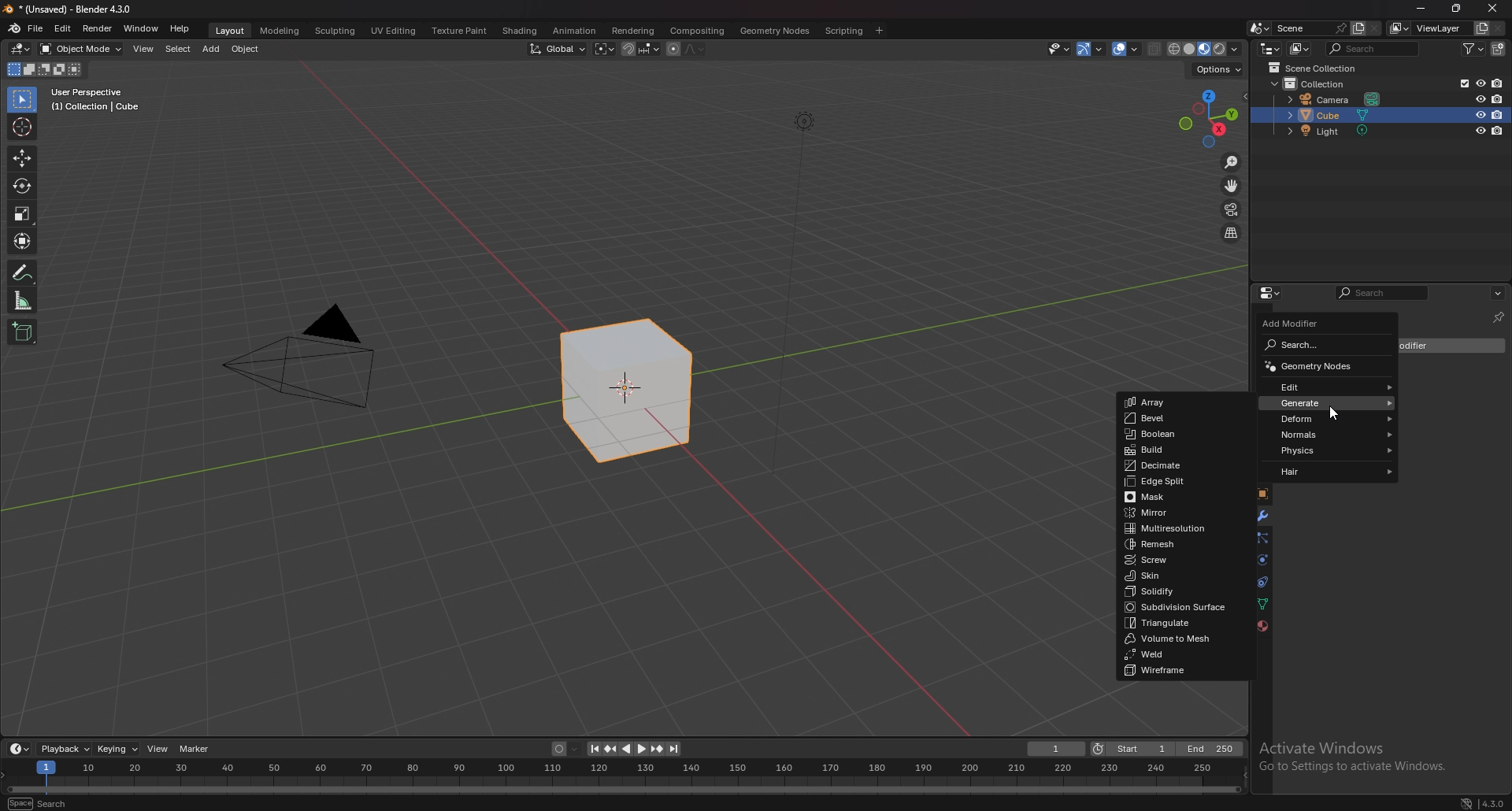 The width and height of the screenshot is (1512, 811). Describe the element at coordinates (1230, 162) in the screenshot. I see `zoom` at that location.